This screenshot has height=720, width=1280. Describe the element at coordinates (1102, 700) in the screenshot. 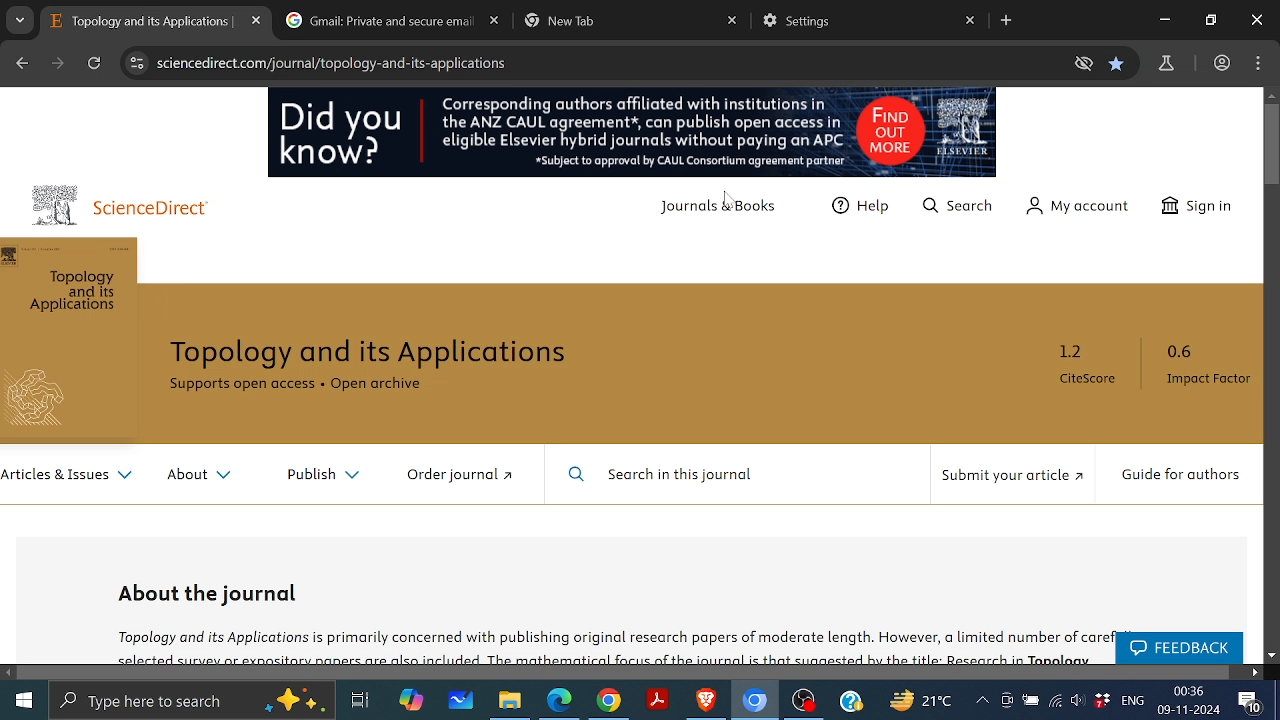

I see `dropbox` at that location.